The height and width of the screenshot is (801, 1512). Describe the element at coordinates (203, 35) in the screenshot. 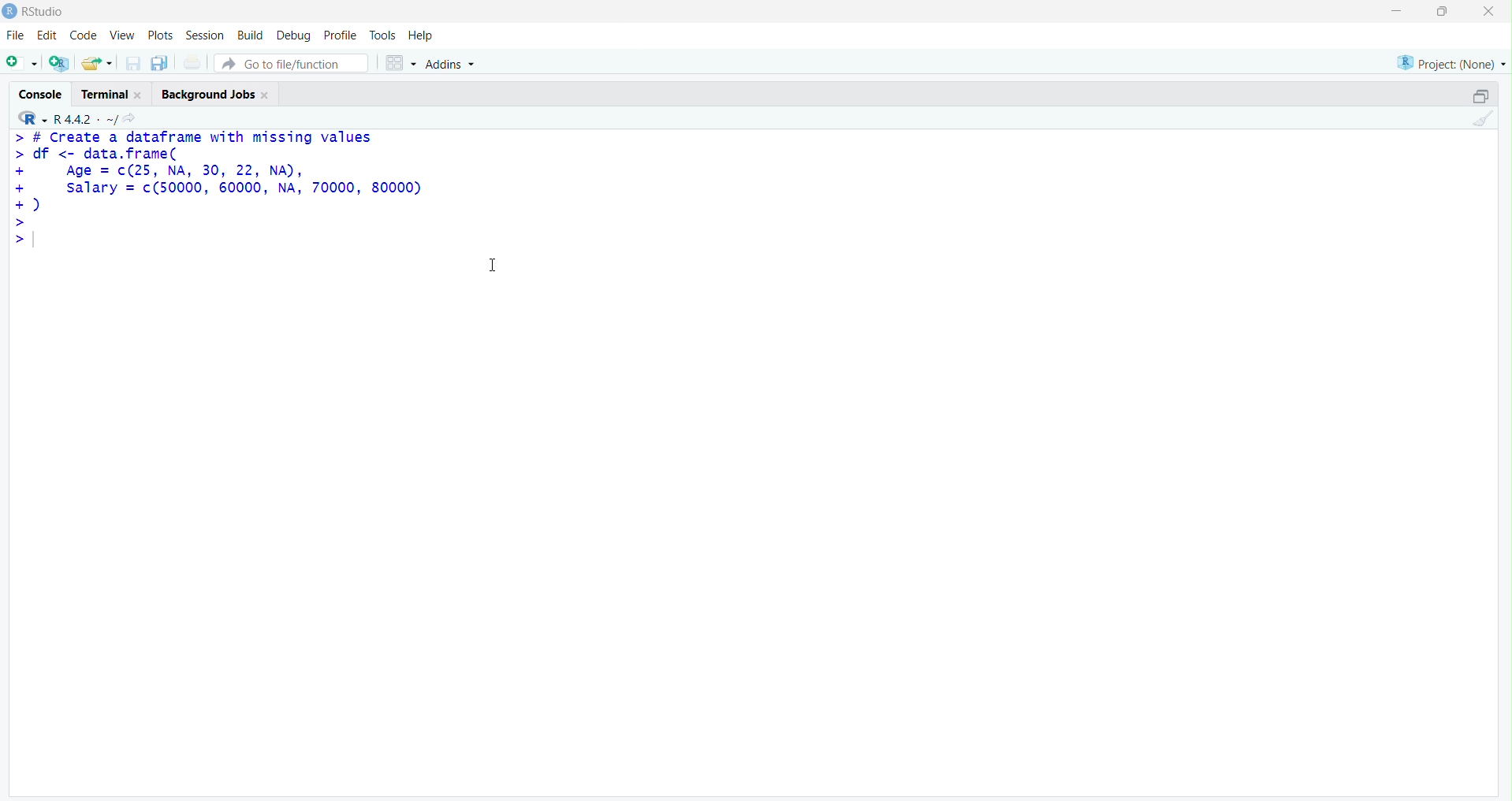

I see `Session` at that location.